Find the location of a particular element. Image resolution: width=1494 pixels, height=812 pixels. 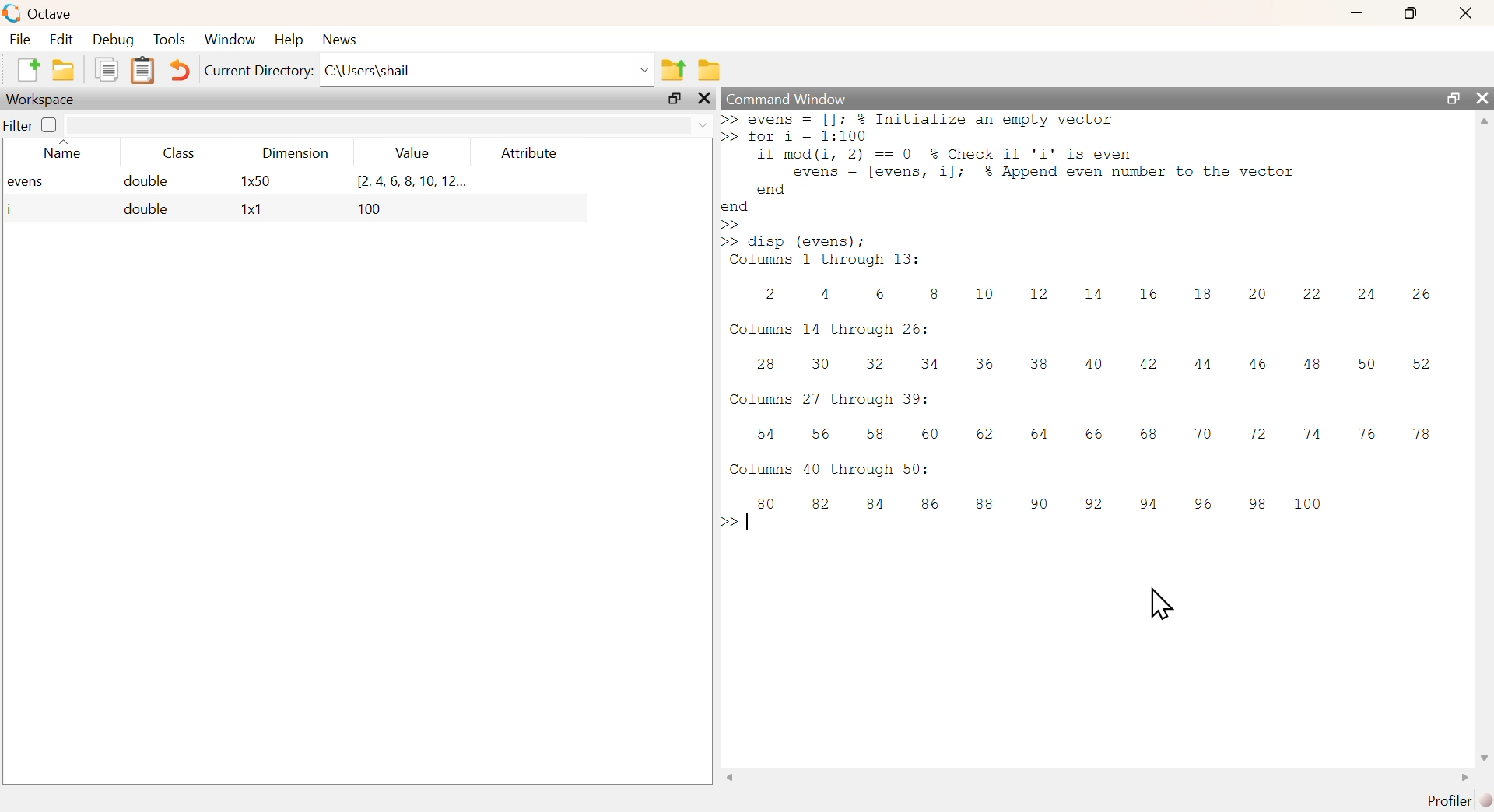

double is located at coordinates (150, 182).